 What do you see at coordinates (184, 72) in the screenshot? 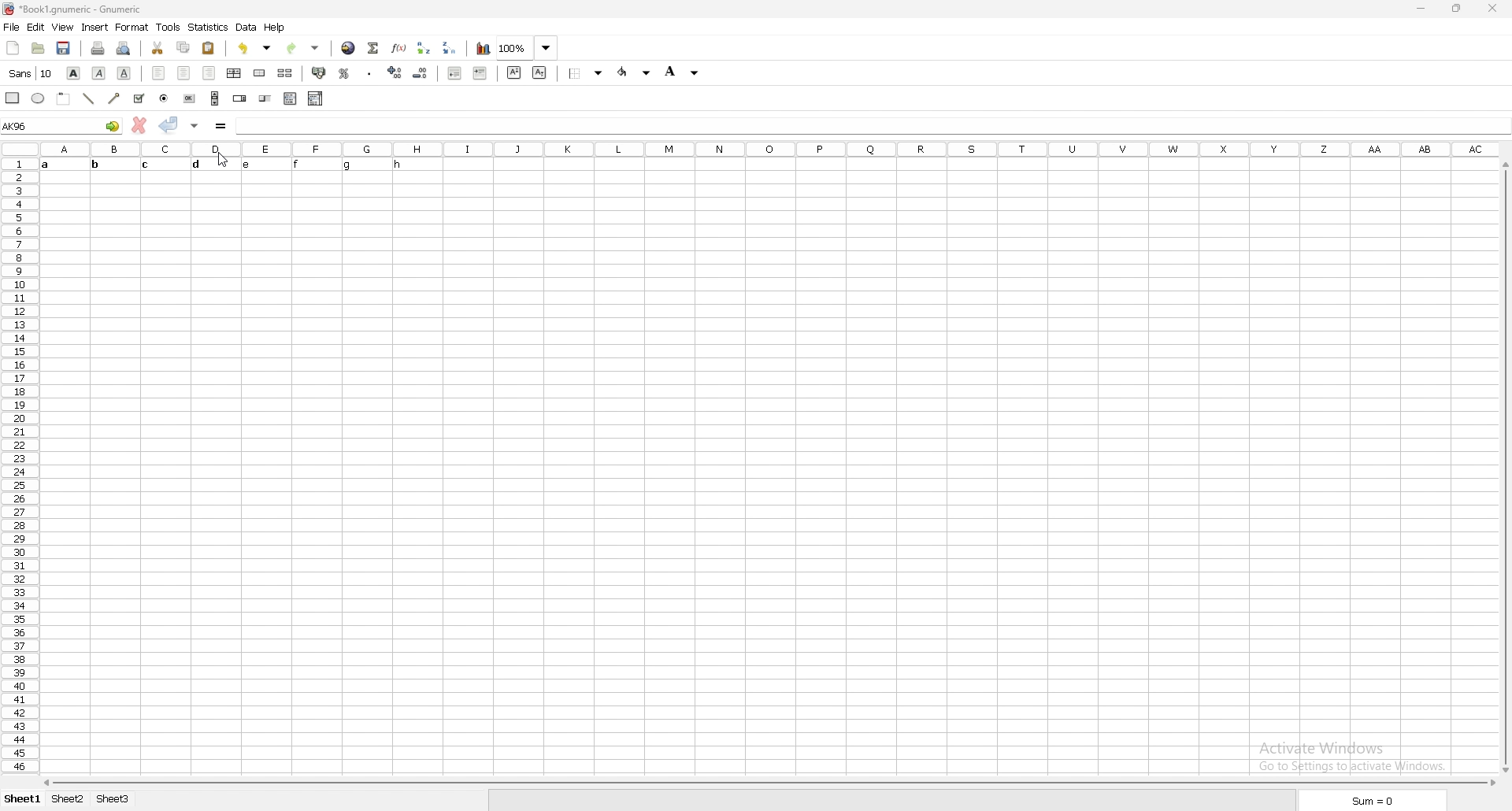
I see `centre` at bounding box center [184, 72].